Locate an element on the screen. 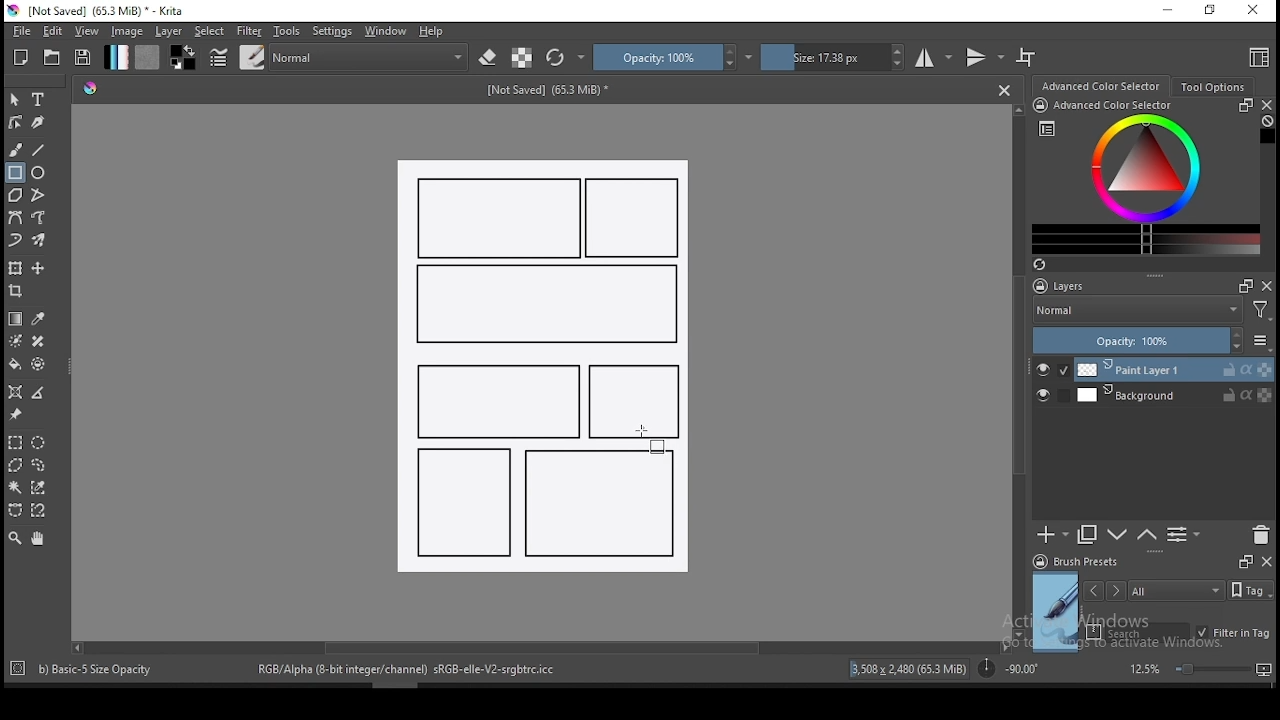 This screenshot has height=720, width=1280. gradient tool is located at coordinates (16, 319).